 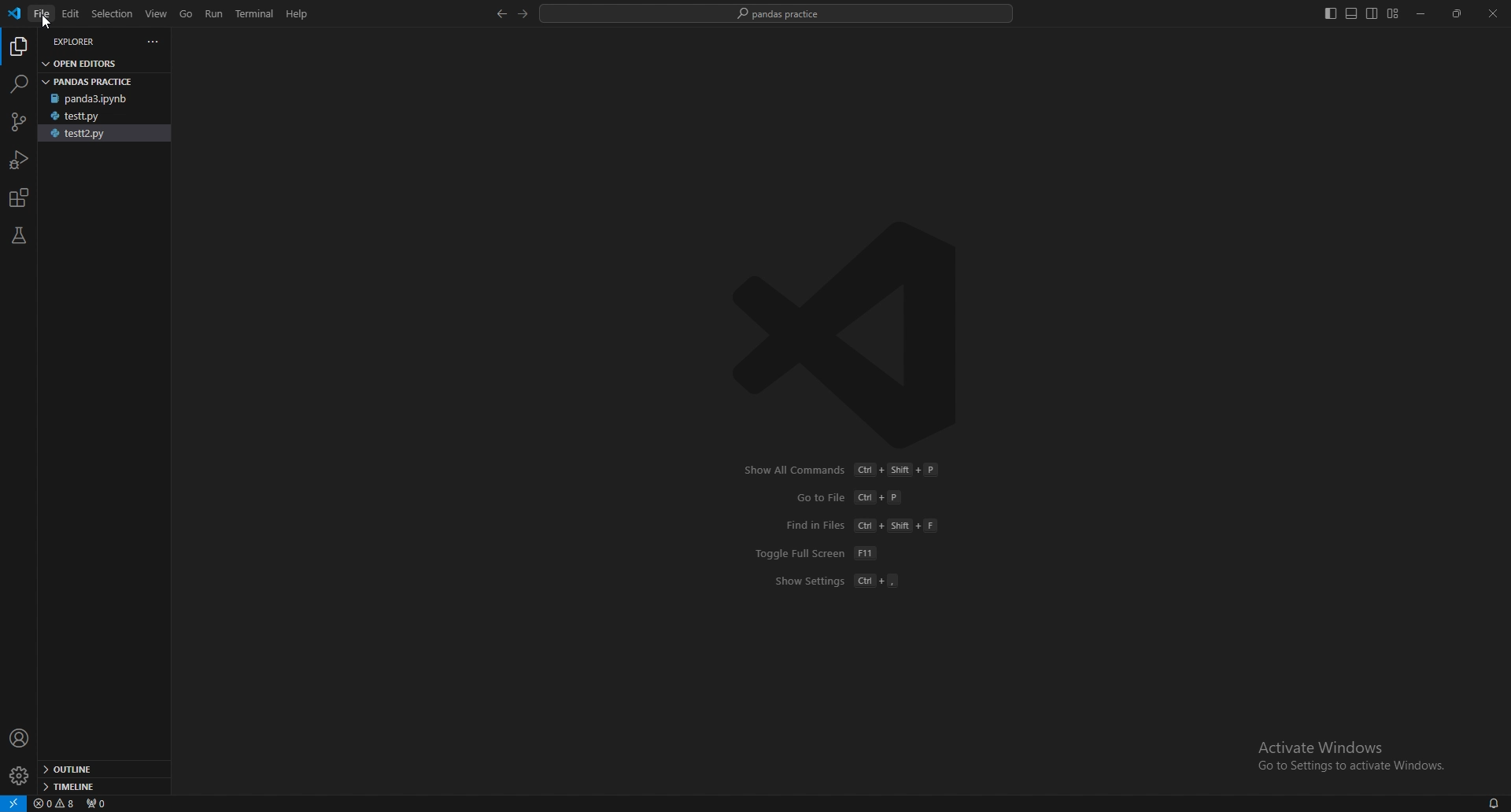 I want to click on run and debug, so click(x=20, y=160).